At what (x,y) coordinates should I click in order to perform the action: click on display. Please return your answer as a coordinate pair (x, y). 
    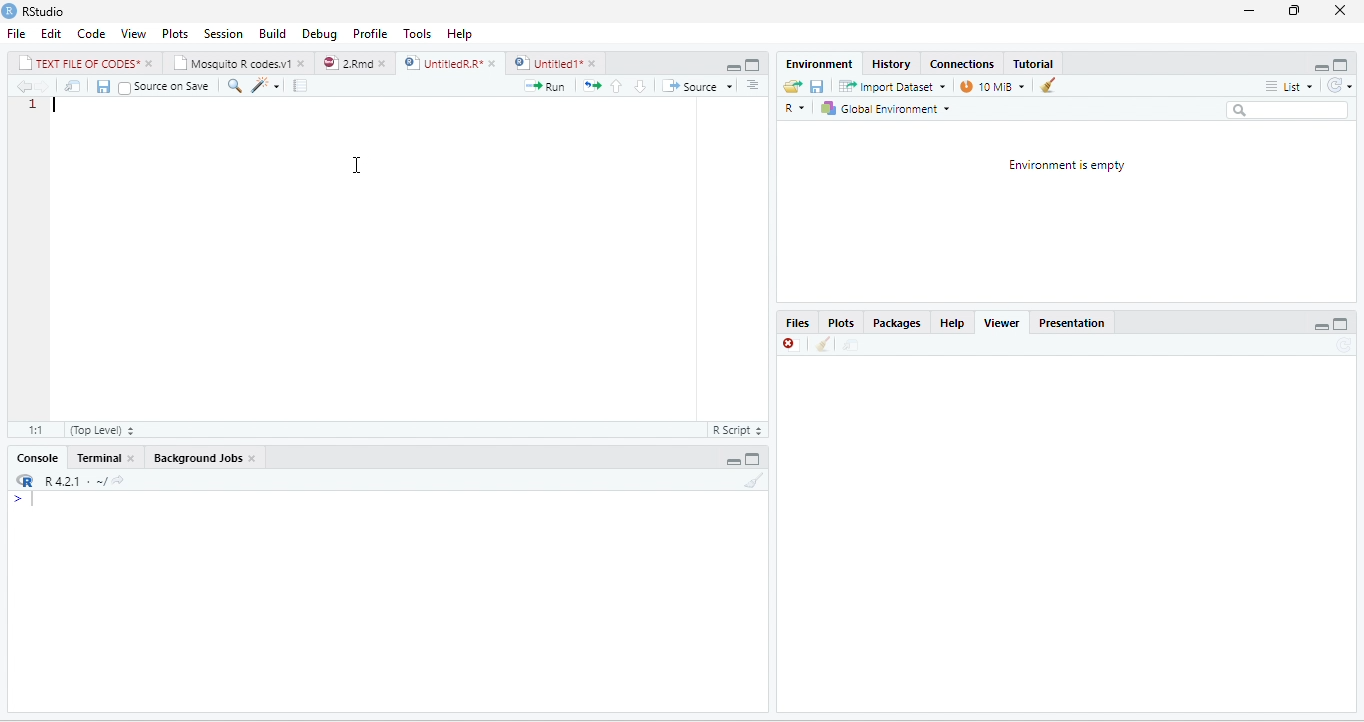
    Looking at the image, I should click on (384, 602).